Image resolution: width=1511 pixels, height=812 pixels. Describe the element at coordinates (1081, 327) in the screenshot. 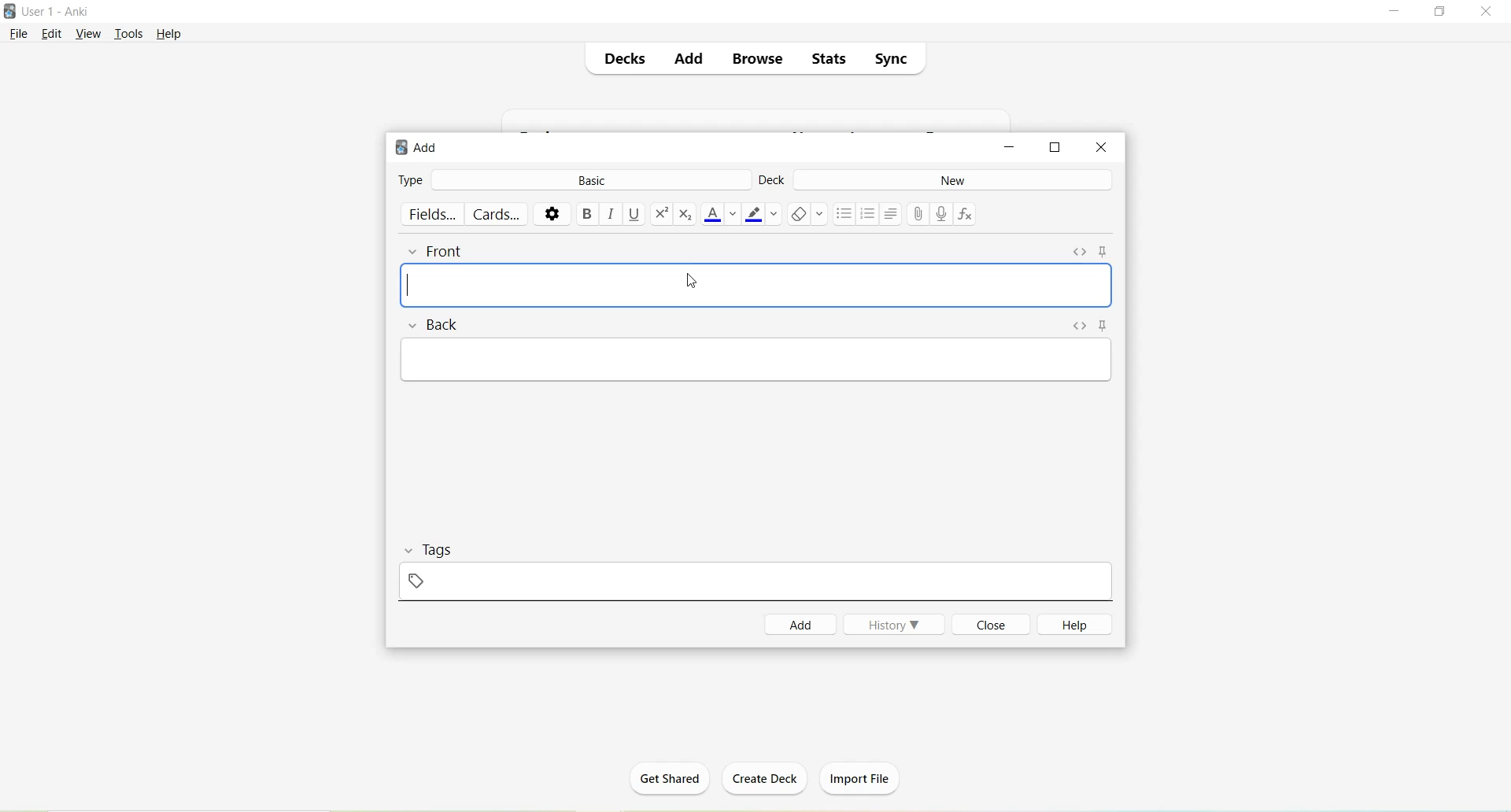

I see `Toggle HTML Editor` at that location.